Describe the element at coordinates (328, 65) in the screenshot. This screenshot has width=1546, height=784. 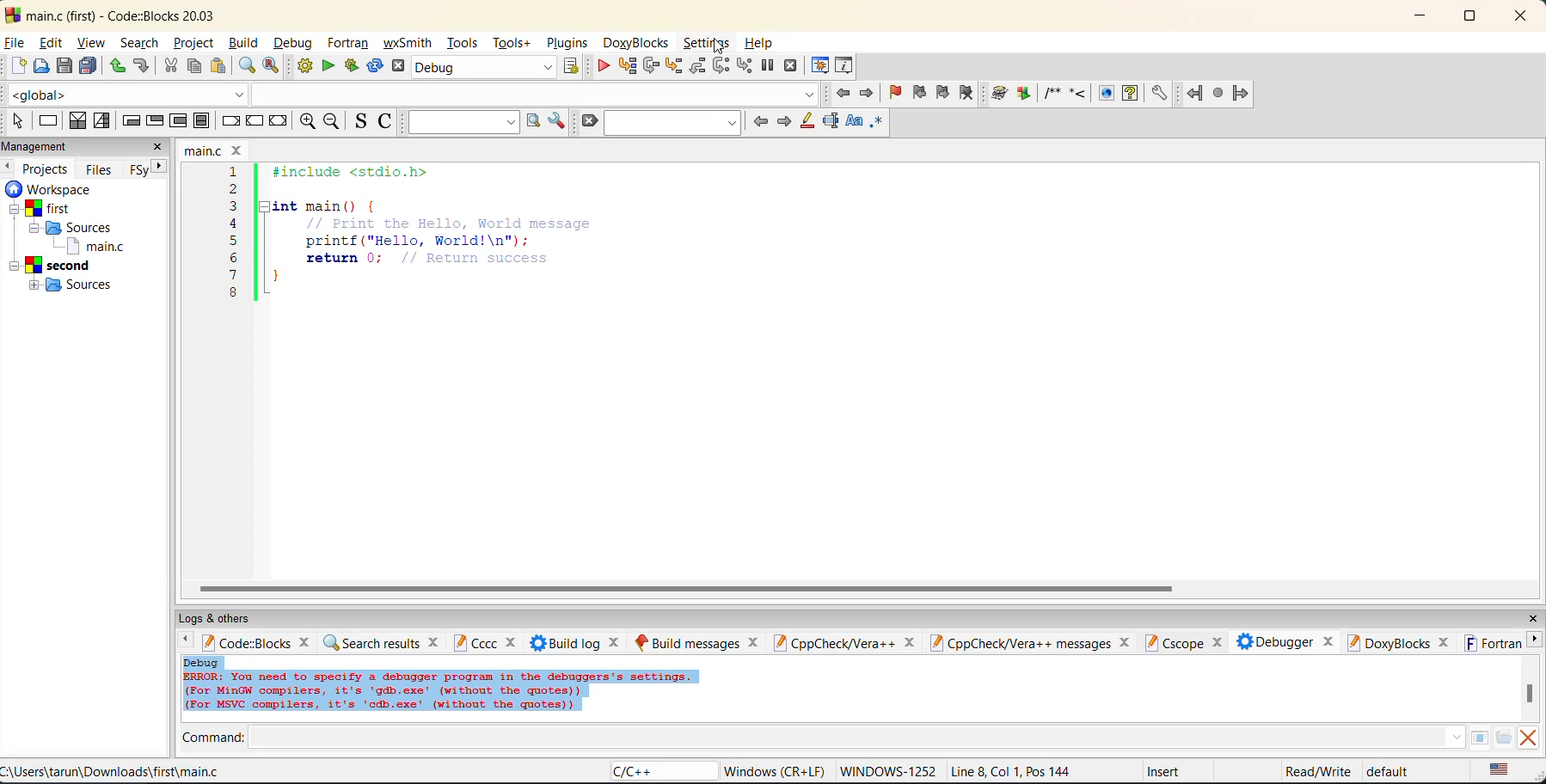
I see `run` at that location.